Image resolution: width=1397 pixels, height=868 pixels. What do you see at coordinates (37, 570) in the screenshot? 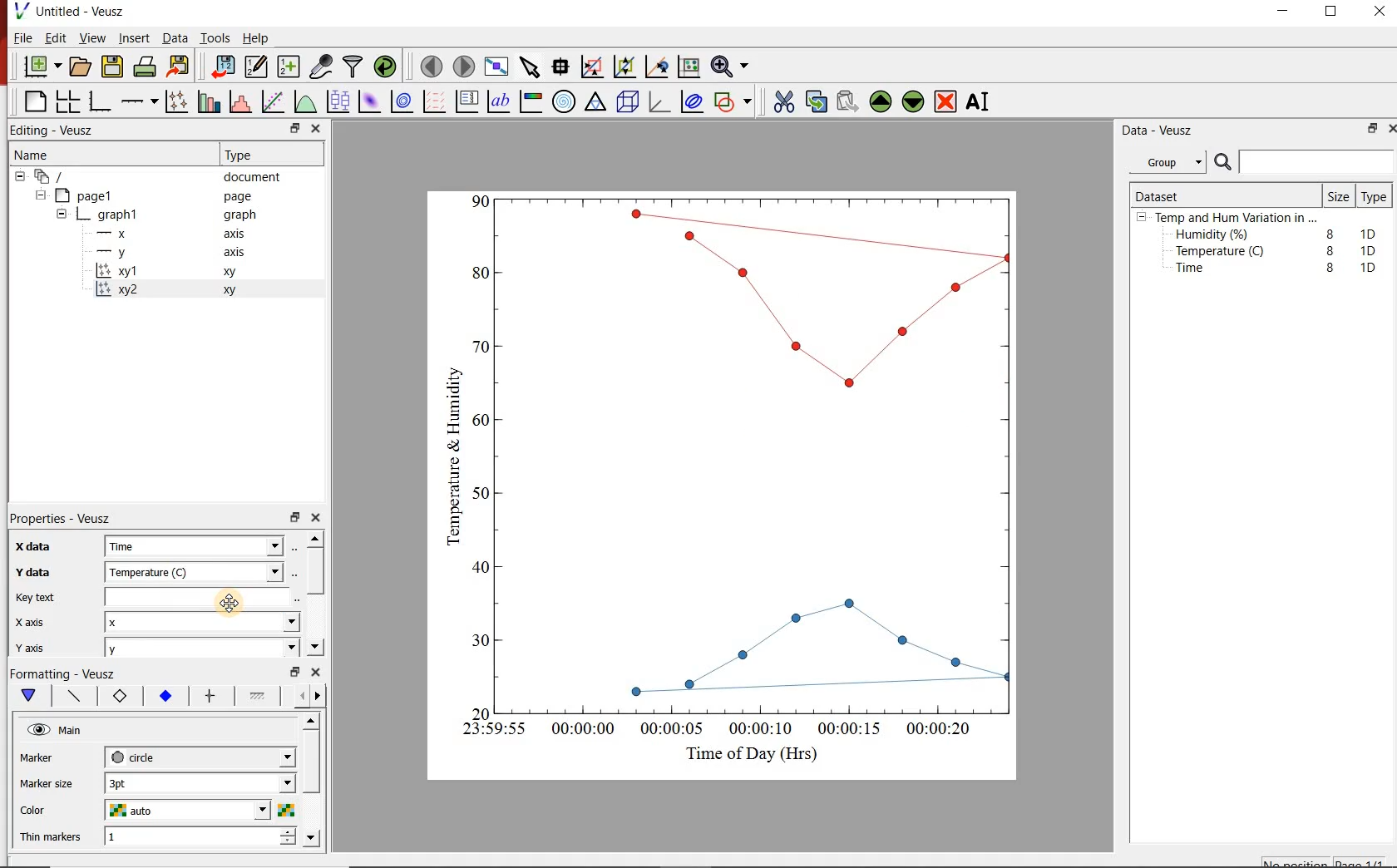
I see `y data` at bounding box center [37, 570].